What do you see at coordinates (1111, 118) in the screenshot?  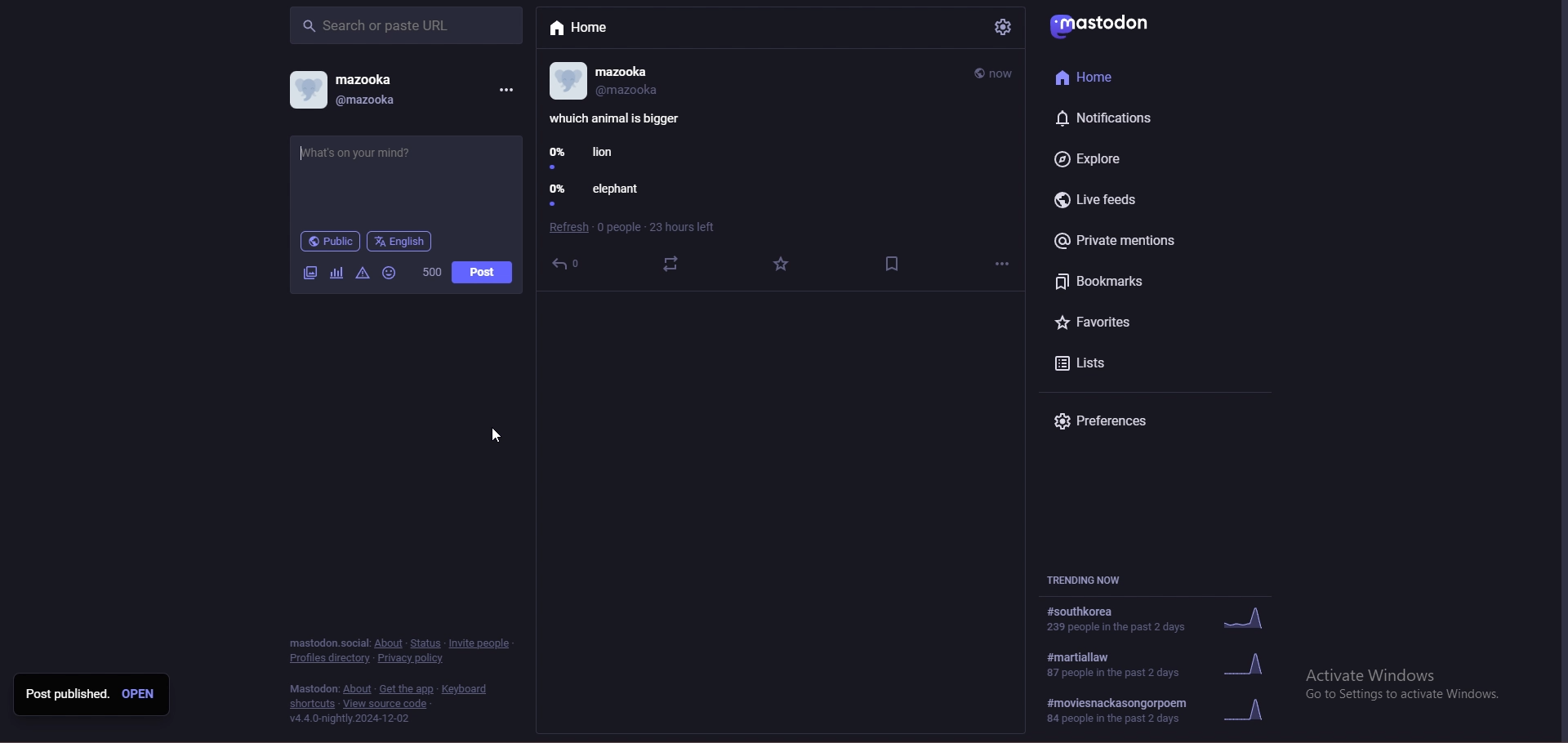 I see `notifications` at bounding box center [1111, 118].